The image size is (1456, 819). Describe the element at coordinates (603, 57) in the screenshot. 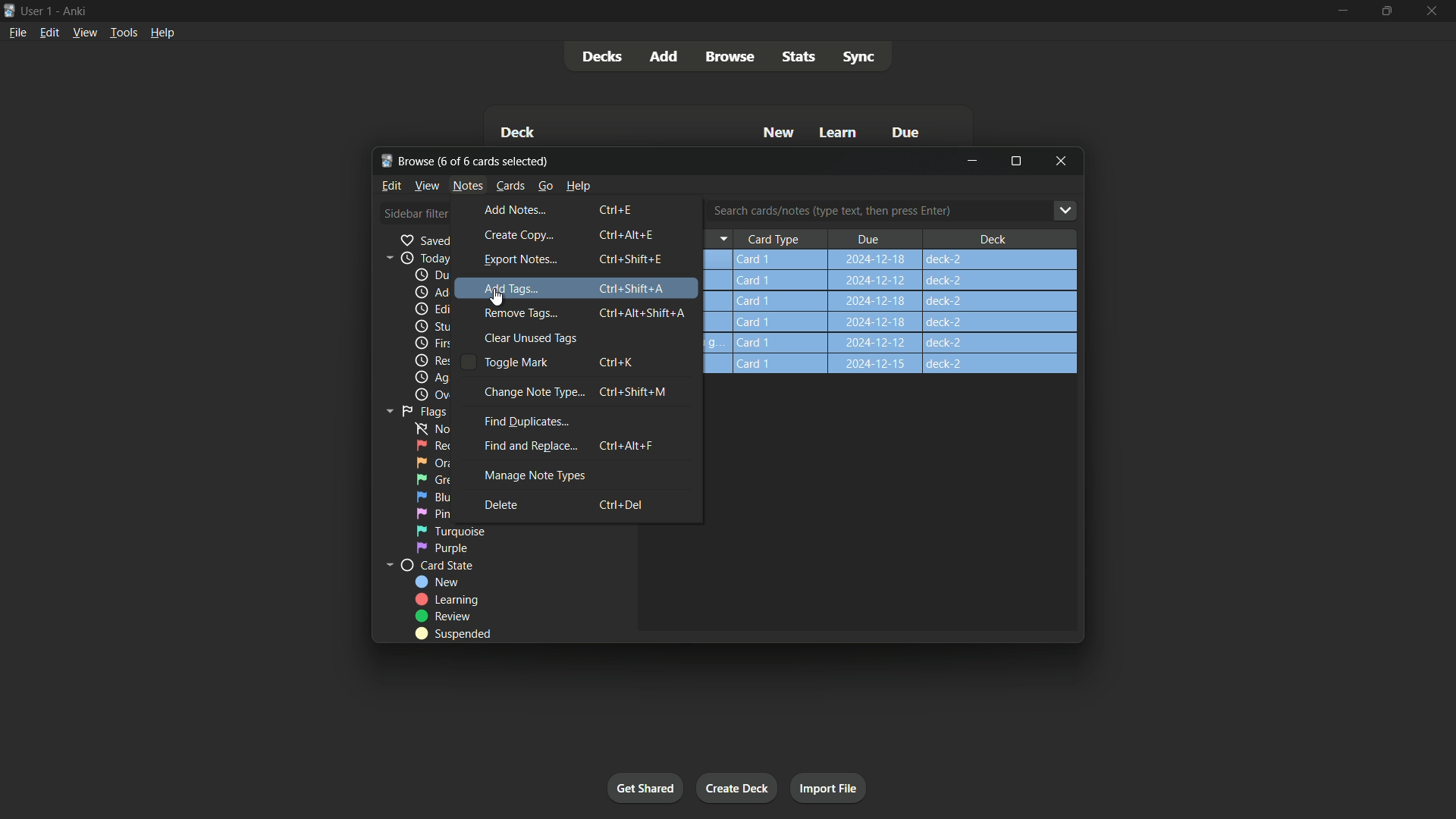

I see `Decks` at that location.